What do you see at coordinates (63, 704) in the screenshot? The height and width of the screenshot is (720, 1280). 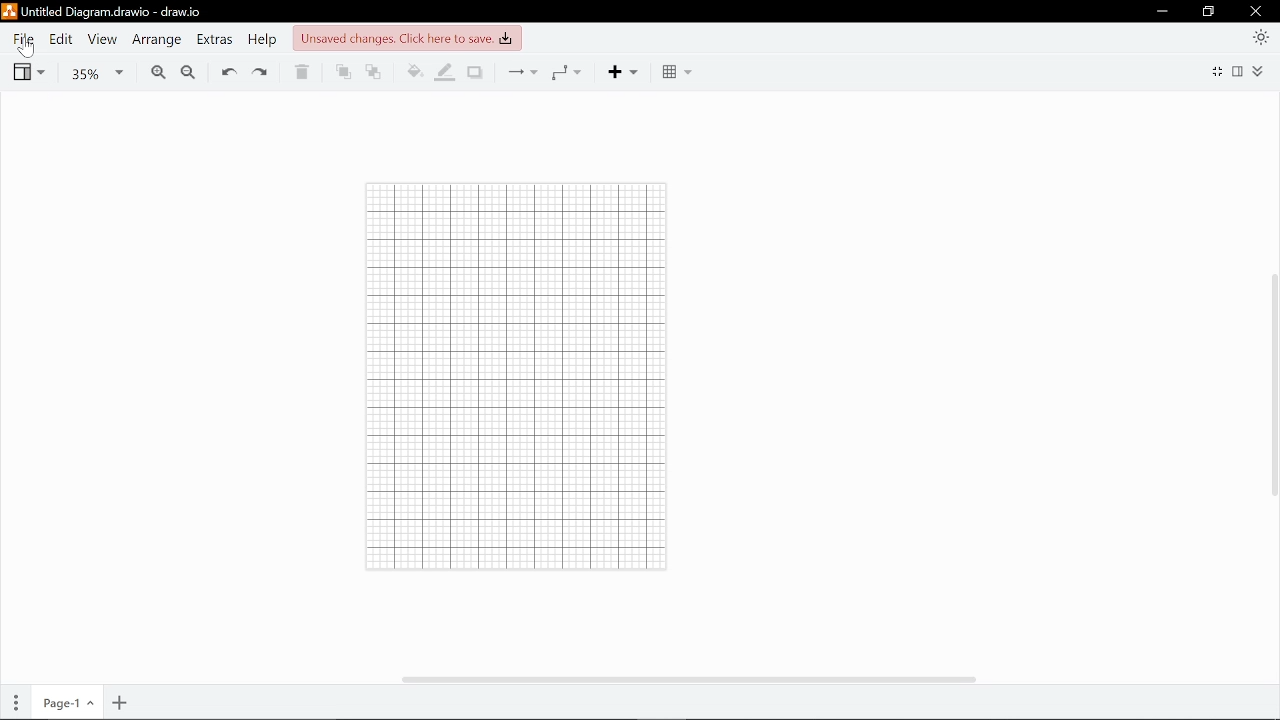 I see `Current page` at bounding box center [63, 704].